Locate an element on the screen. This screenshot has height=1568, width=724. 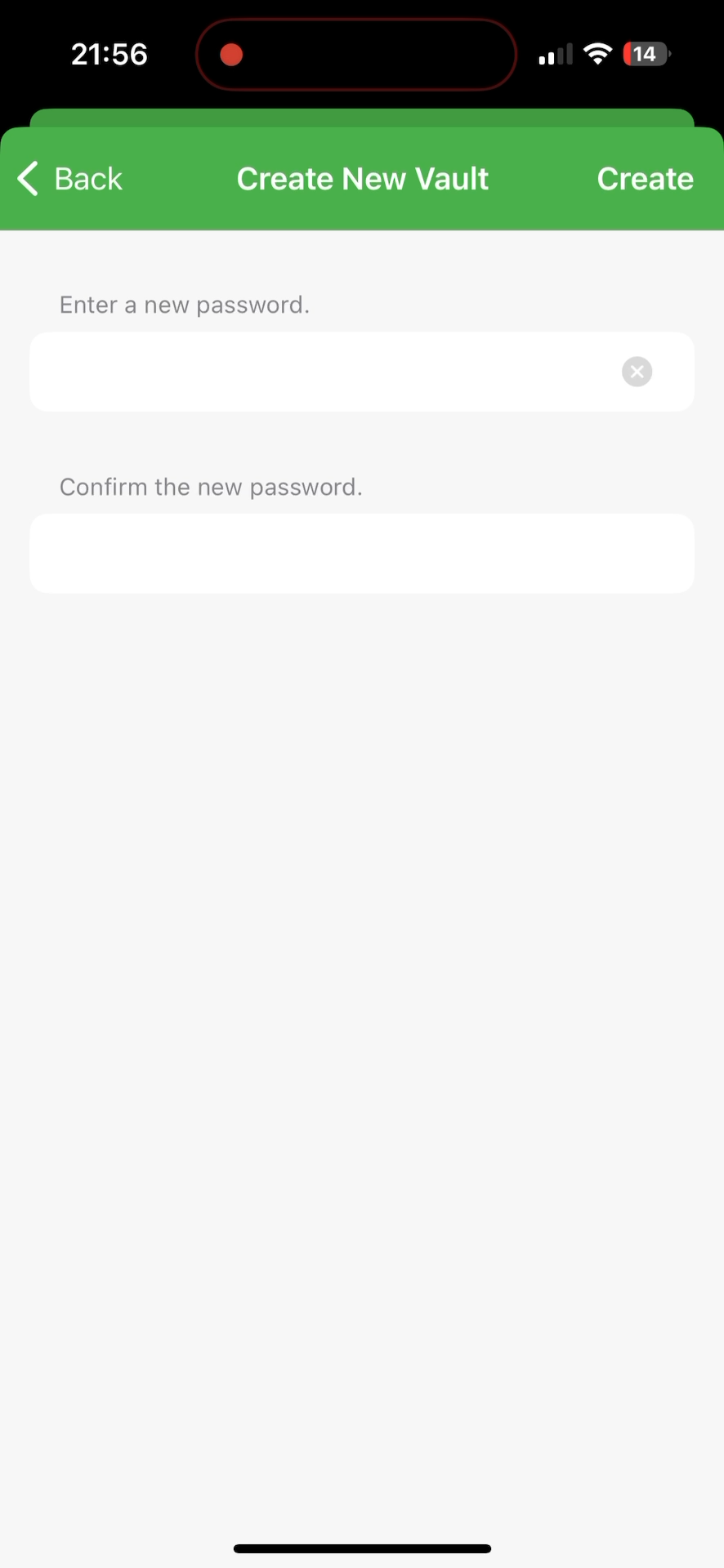
new password is located at coordinates (362, 564).